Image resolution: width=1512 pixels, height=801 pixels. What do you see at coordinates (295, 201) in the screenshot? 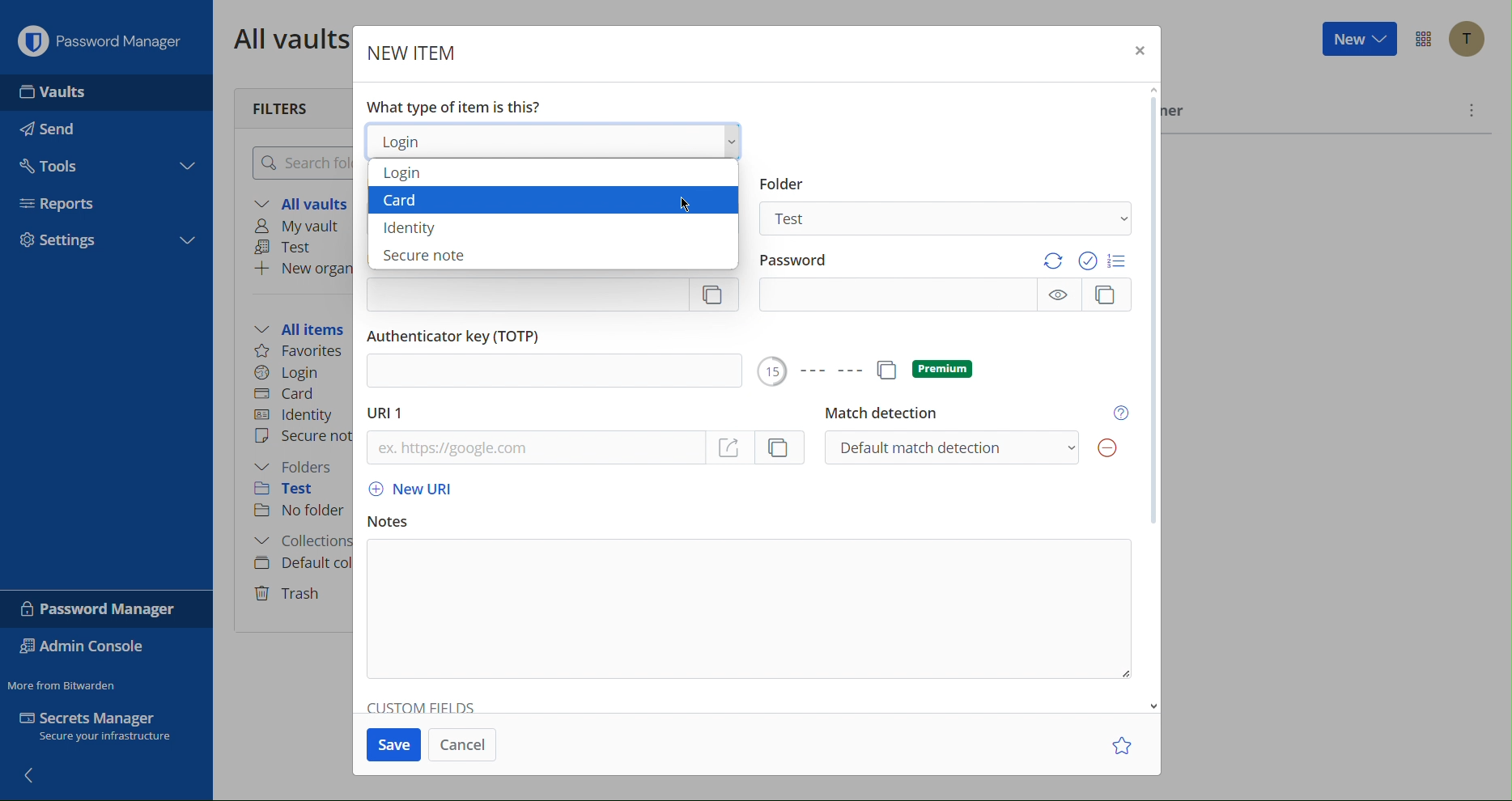
I see `All vaults` at bounding box center [295, 201].